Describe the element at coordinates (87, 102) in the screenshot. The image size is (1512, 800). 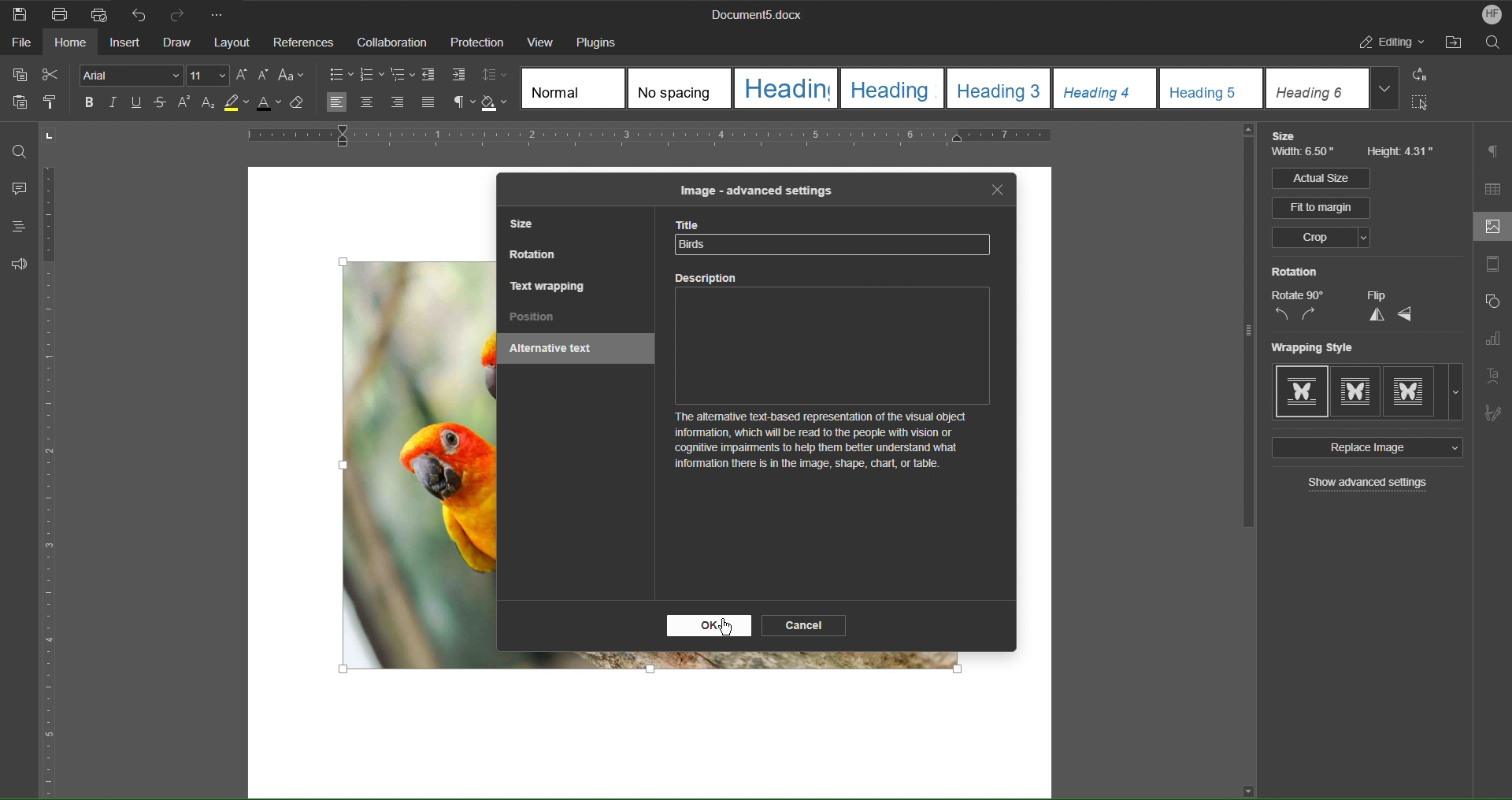
I see `Bold` at that location.